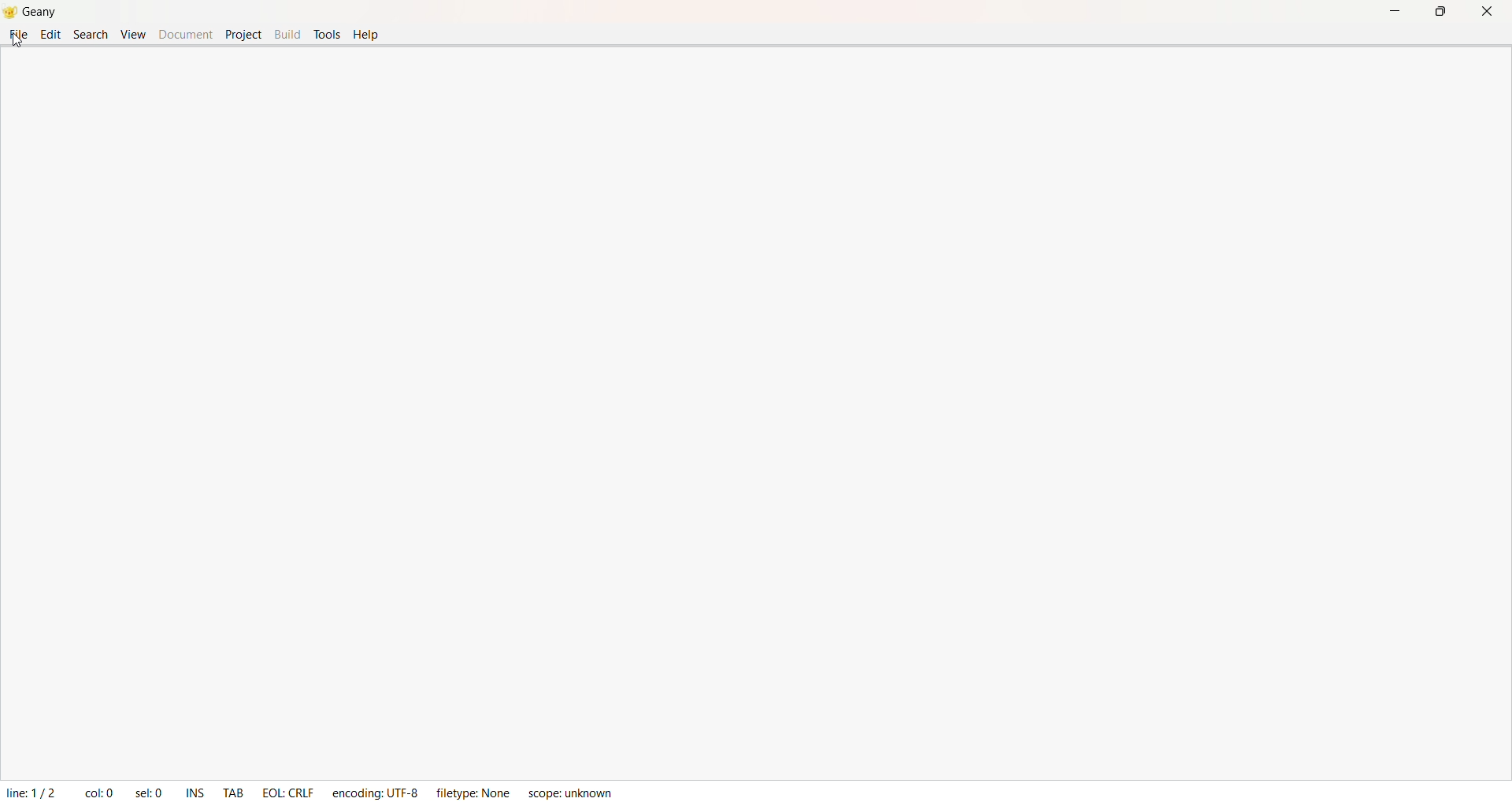  Describe the element at coordinates (91, 34) in the screenshot. I see `Search` at that location.